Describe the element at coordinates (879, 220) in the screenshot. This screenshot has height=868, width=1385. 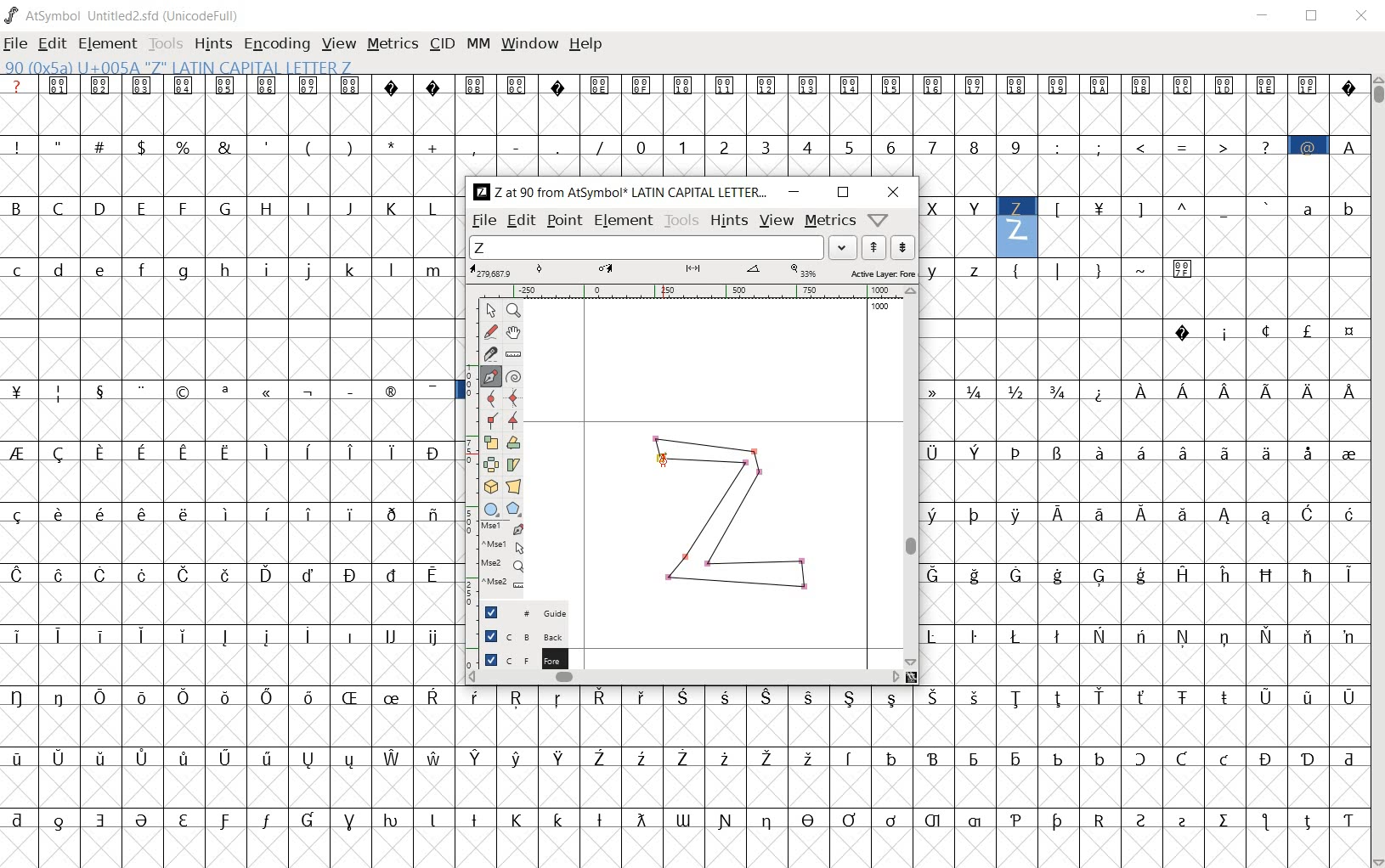
I see `help/window` at that location.